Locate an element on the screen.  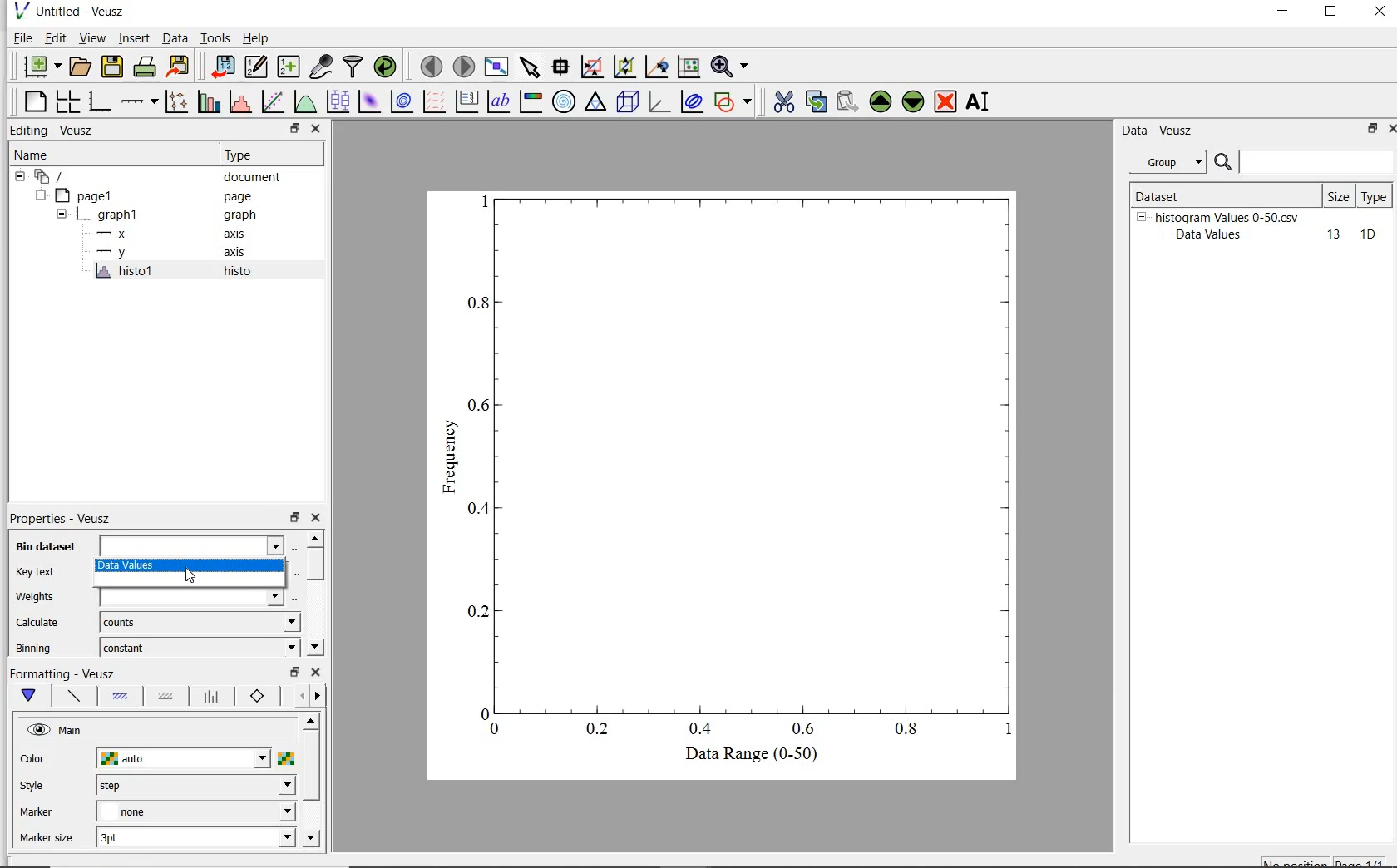
search for dataset names is located at coordinates (1317, 162).